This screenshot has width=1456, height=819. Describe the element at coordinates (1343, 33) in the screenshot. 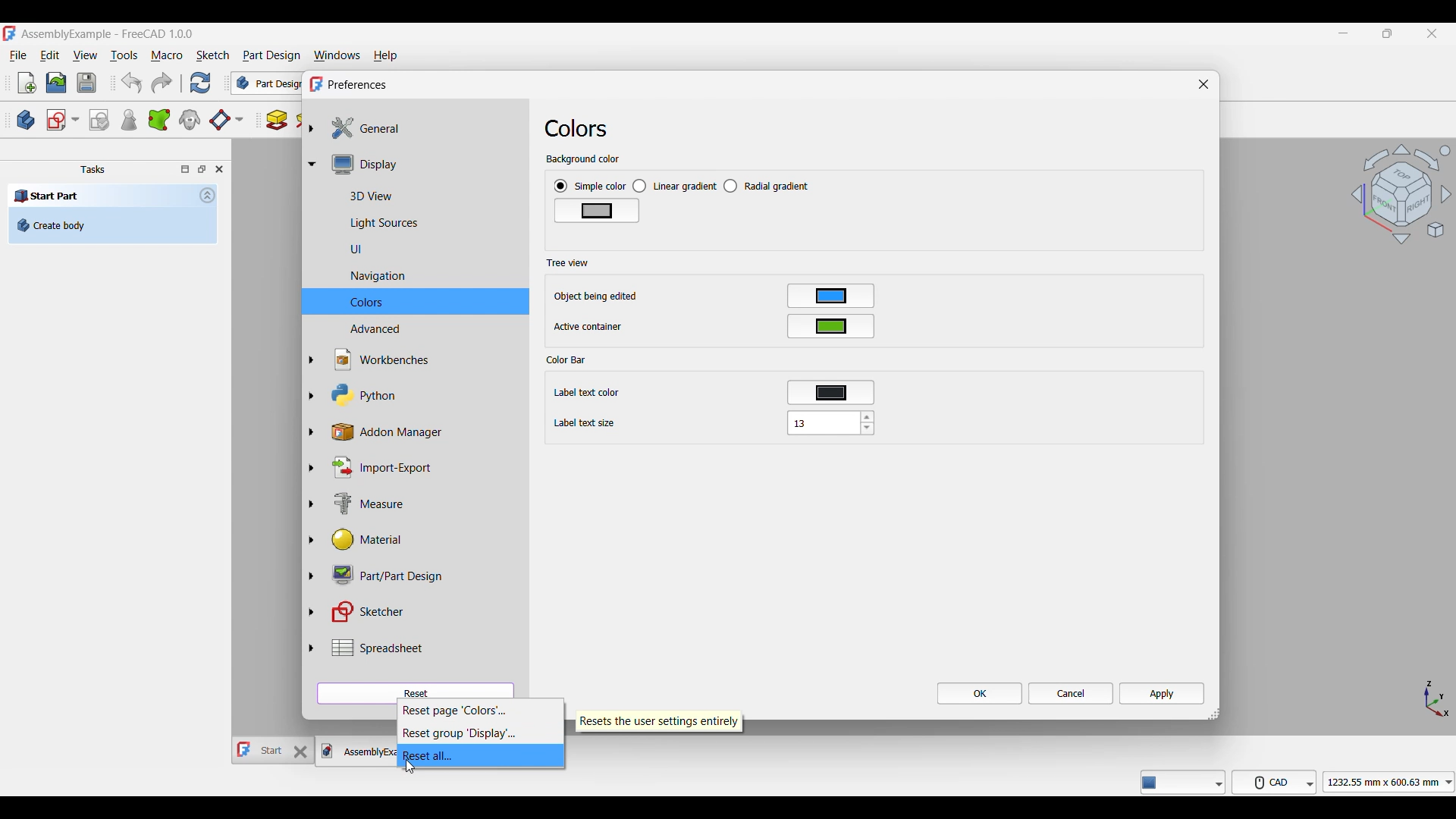

I see `Minimize` at that location.